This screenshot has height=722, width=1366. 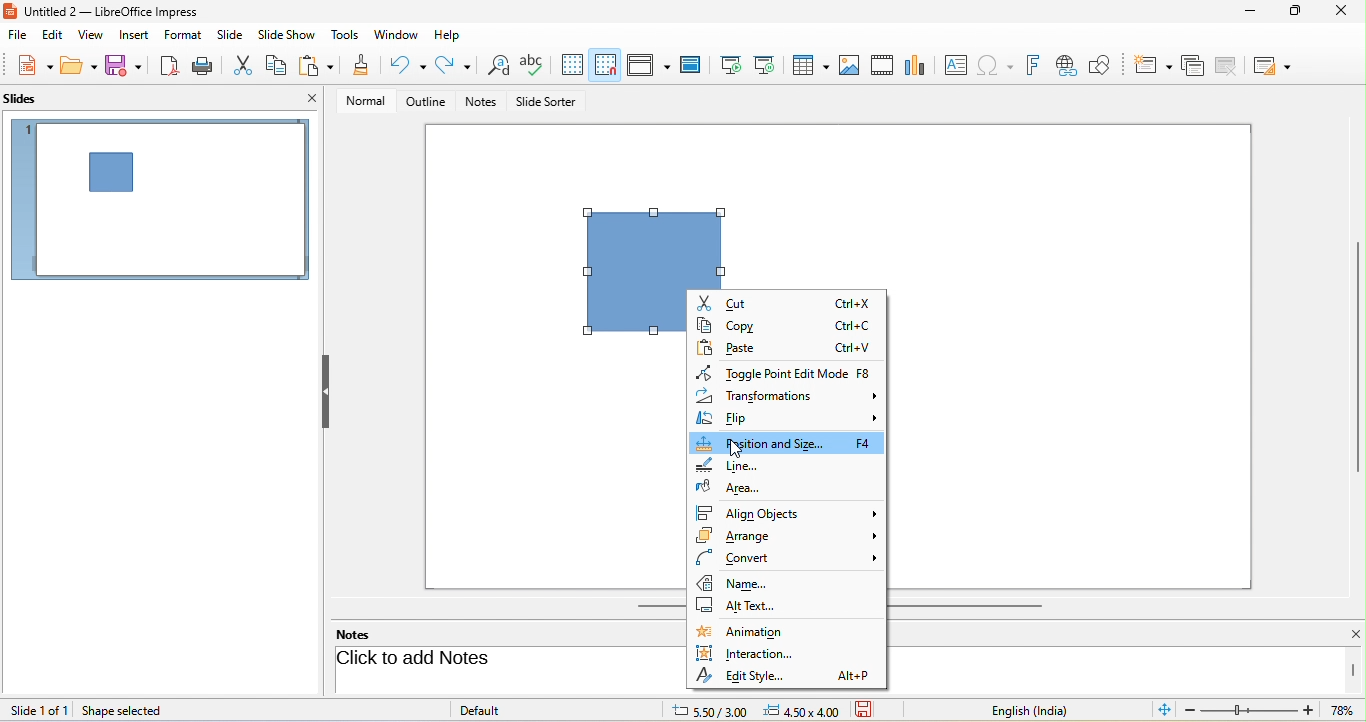 What do you see at coordinates (9, 10) in the screenshot?
I see `libre office impress logo` at bounding box center [9, 10].